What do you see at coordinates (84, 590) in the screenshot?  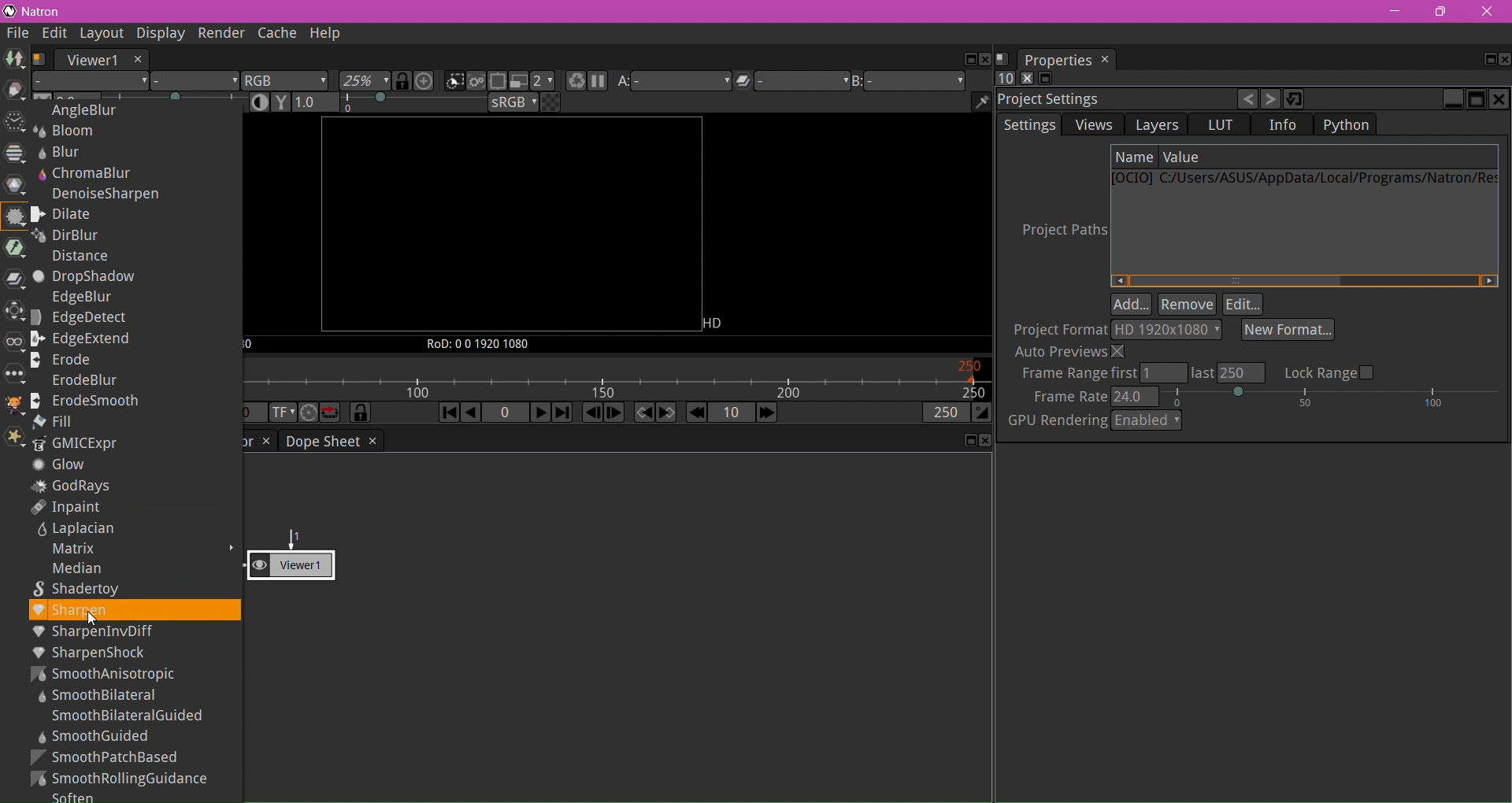 I see `Shadertoy` at bounding box center [84, 590].